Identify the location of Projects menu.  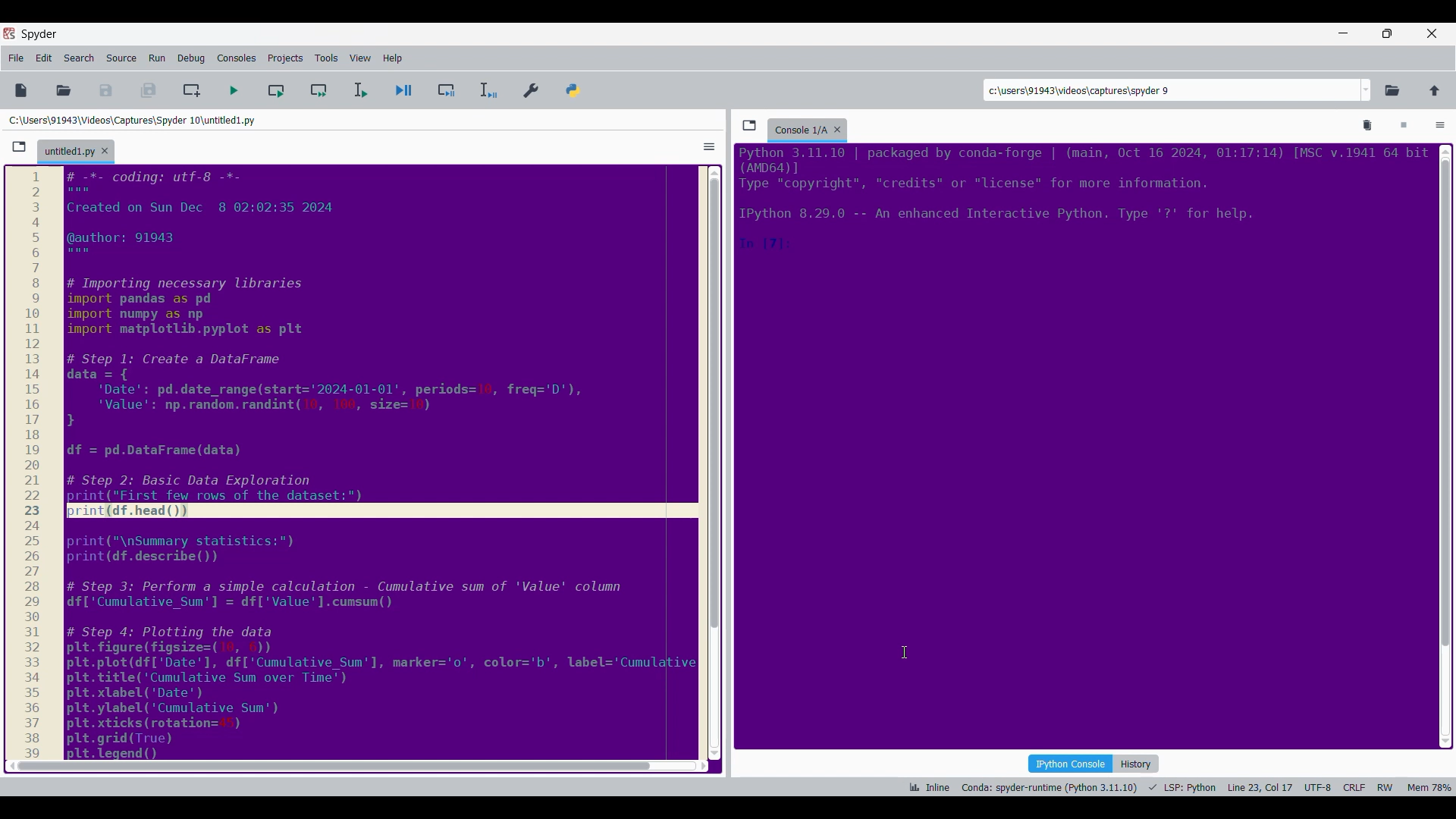
(285, 58).